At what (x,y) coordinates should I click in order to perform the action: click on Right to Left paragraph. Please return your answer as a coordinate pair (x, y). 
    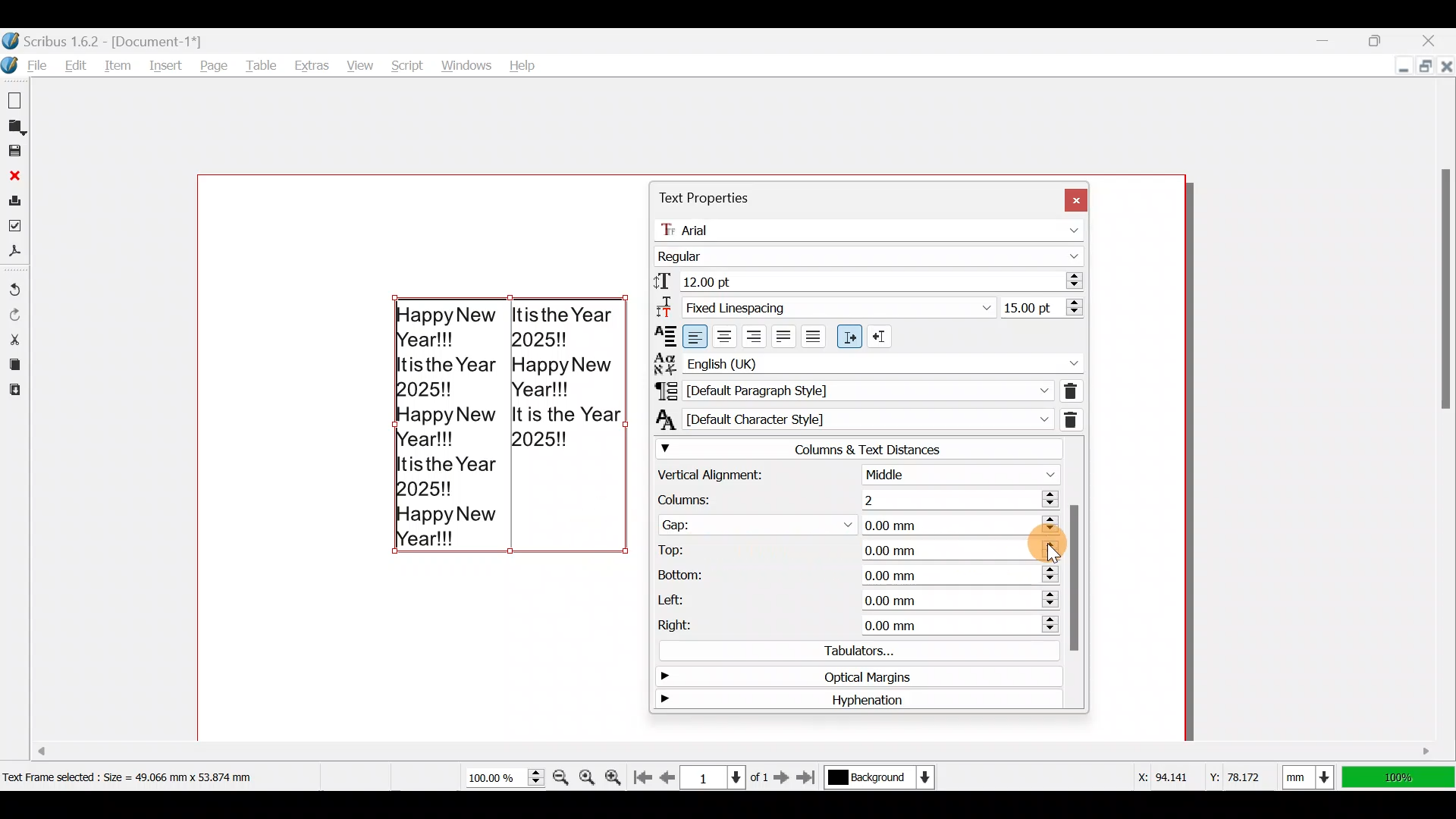
    Looking at the image, I should click on (882, 333).